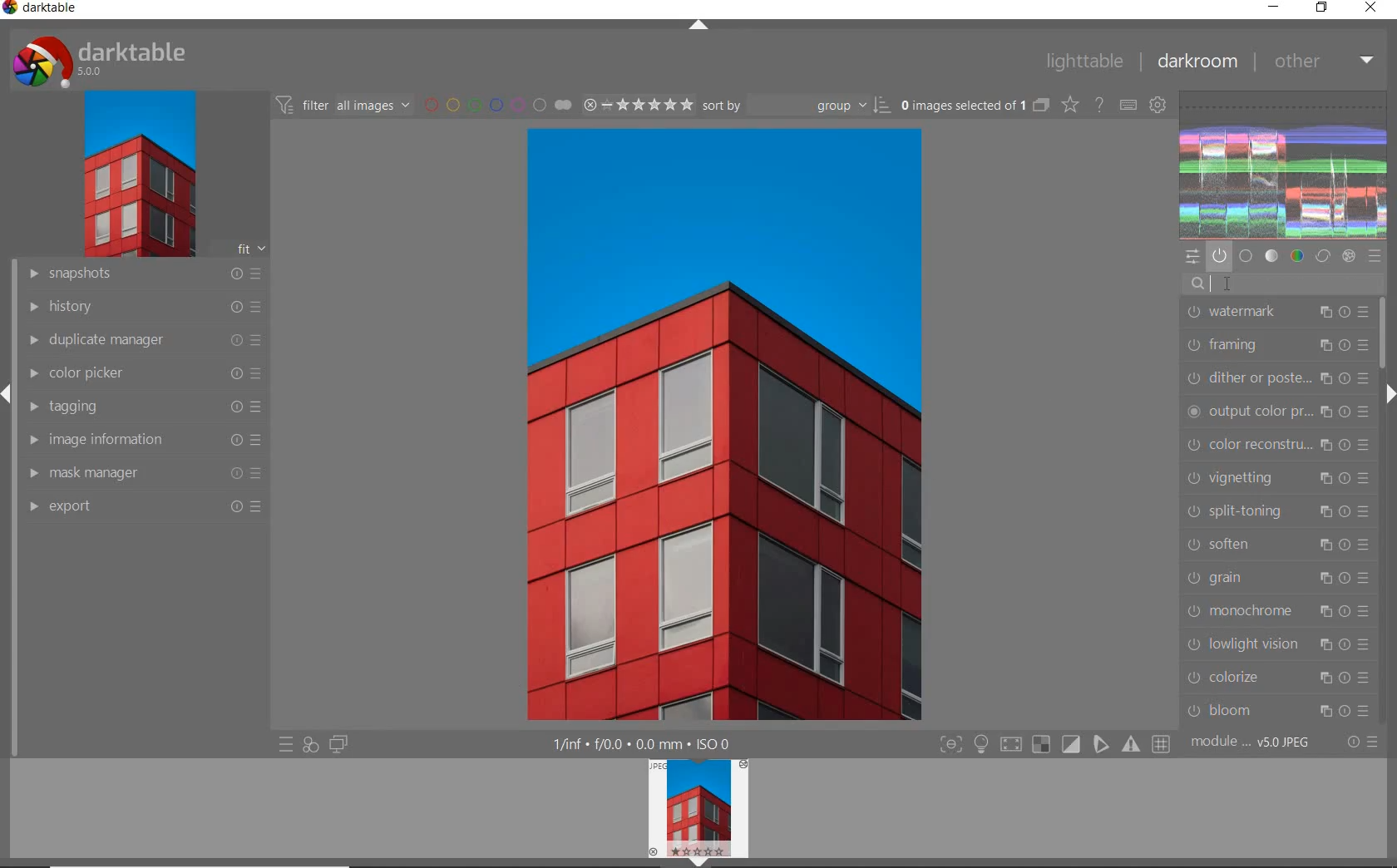 This screenshot has width=1397, height=868. What do you see at coordinates (49, 11) in the screenshot?
I see `darktable` at bounding box center [49, 11].